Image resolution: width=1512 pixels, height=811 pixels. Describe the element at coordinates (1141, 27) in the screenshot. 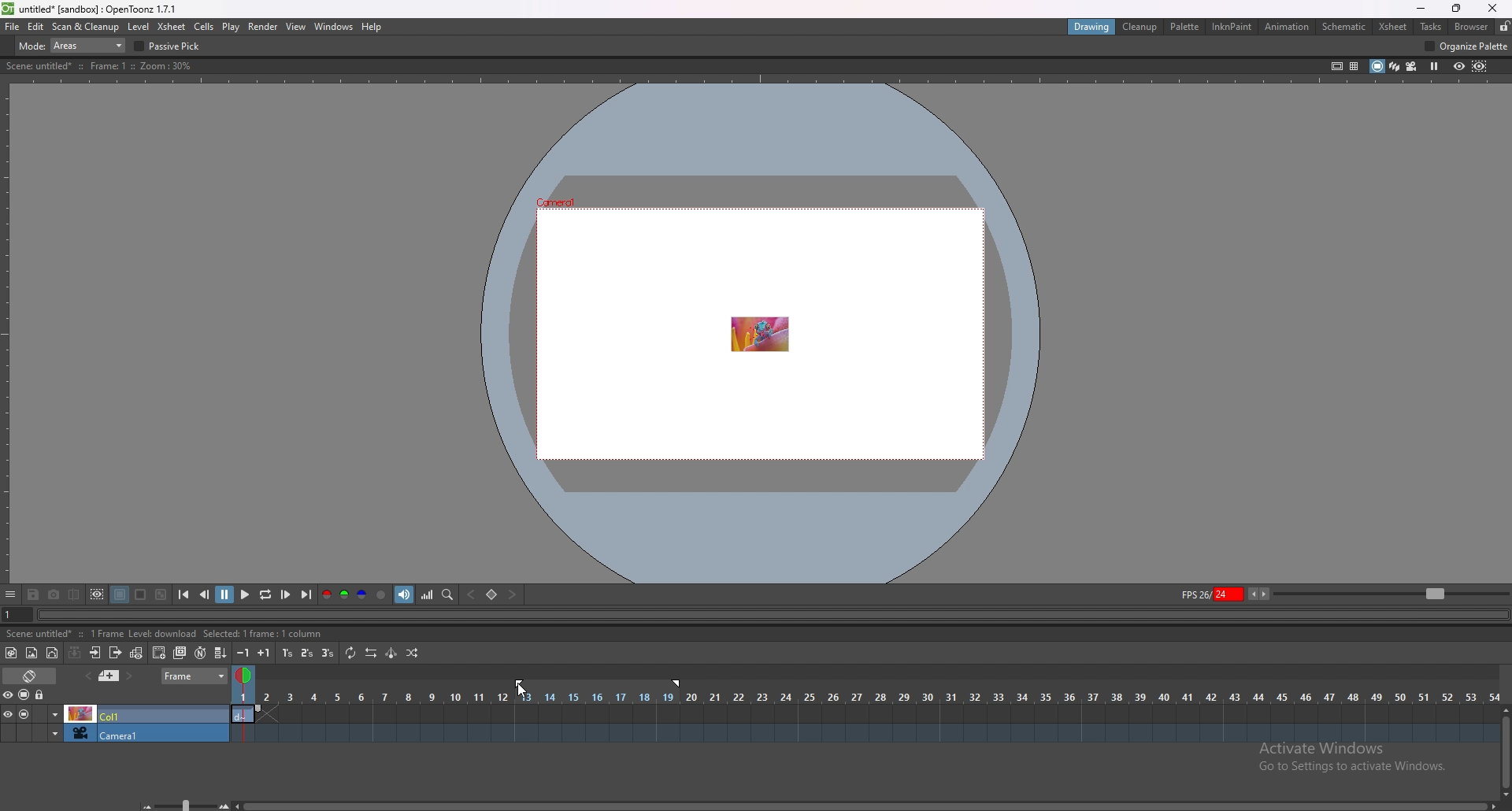

I see `cleanup` at that location.